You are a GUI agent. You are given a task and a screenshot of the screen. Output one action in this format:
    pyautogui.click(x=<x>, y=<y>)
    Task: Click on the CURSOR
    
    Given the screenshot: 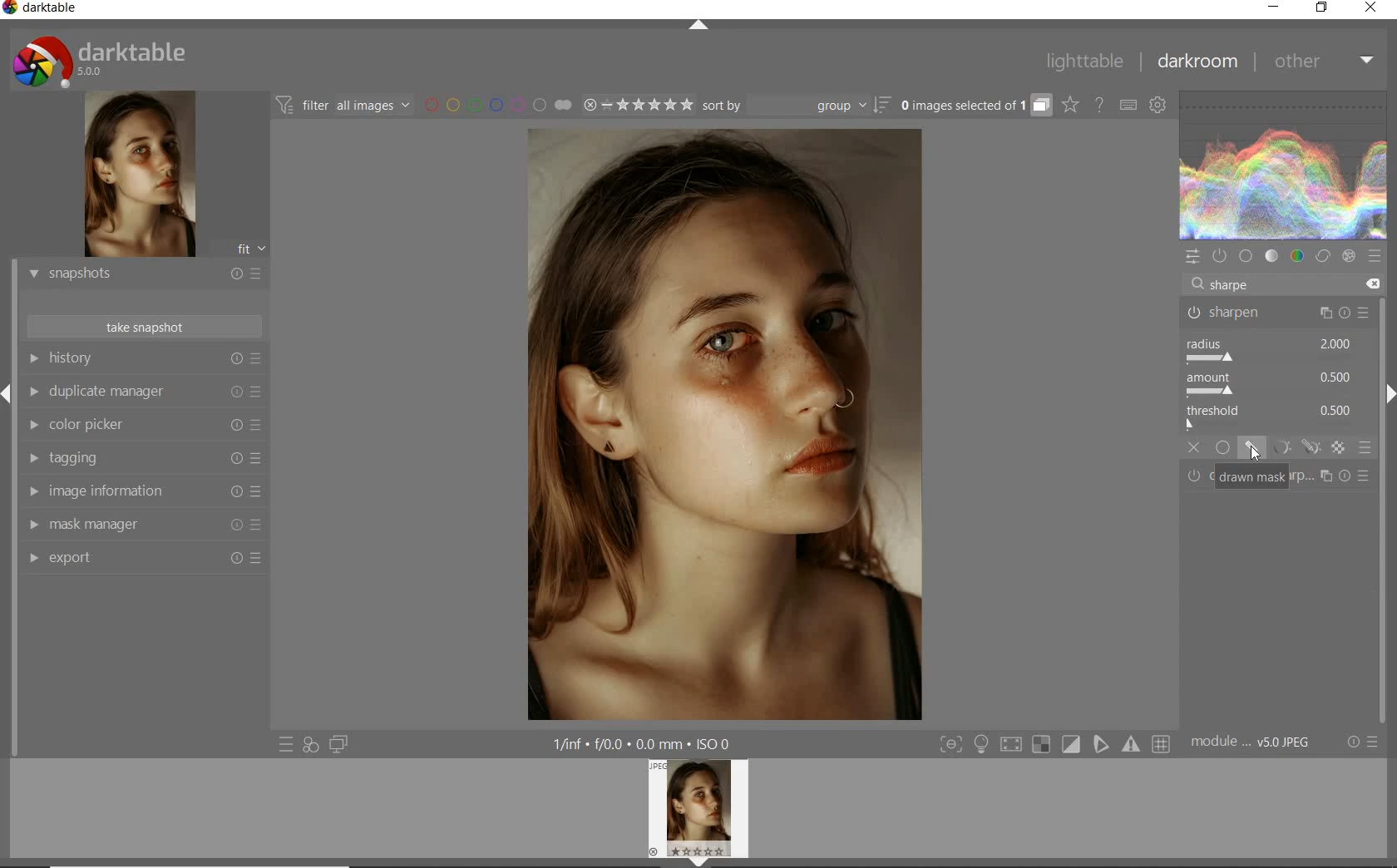 What is the action you would take?
    pyautogui.click(x=1253, y=453)
    